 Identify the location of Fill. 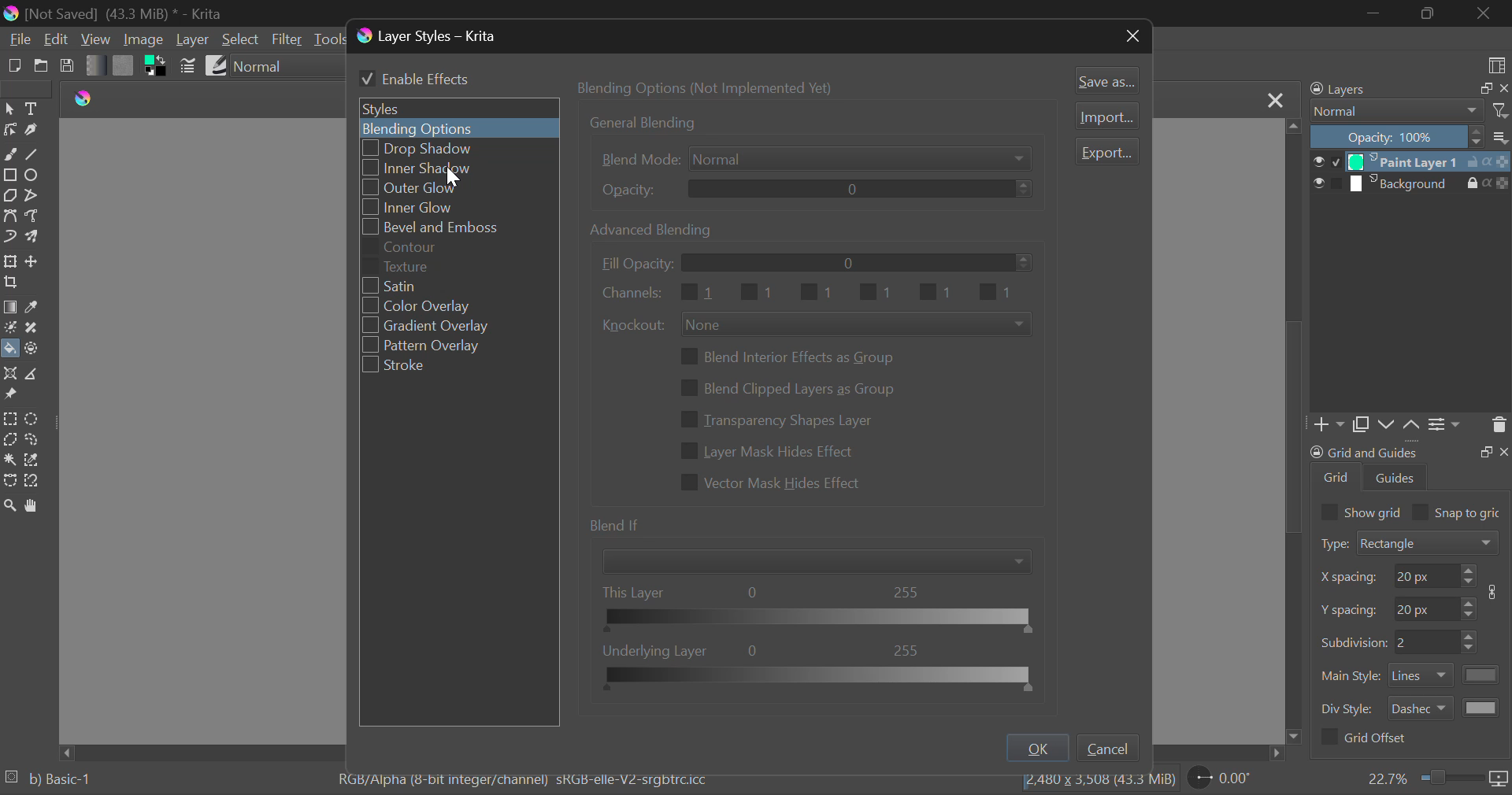
(9, 349).